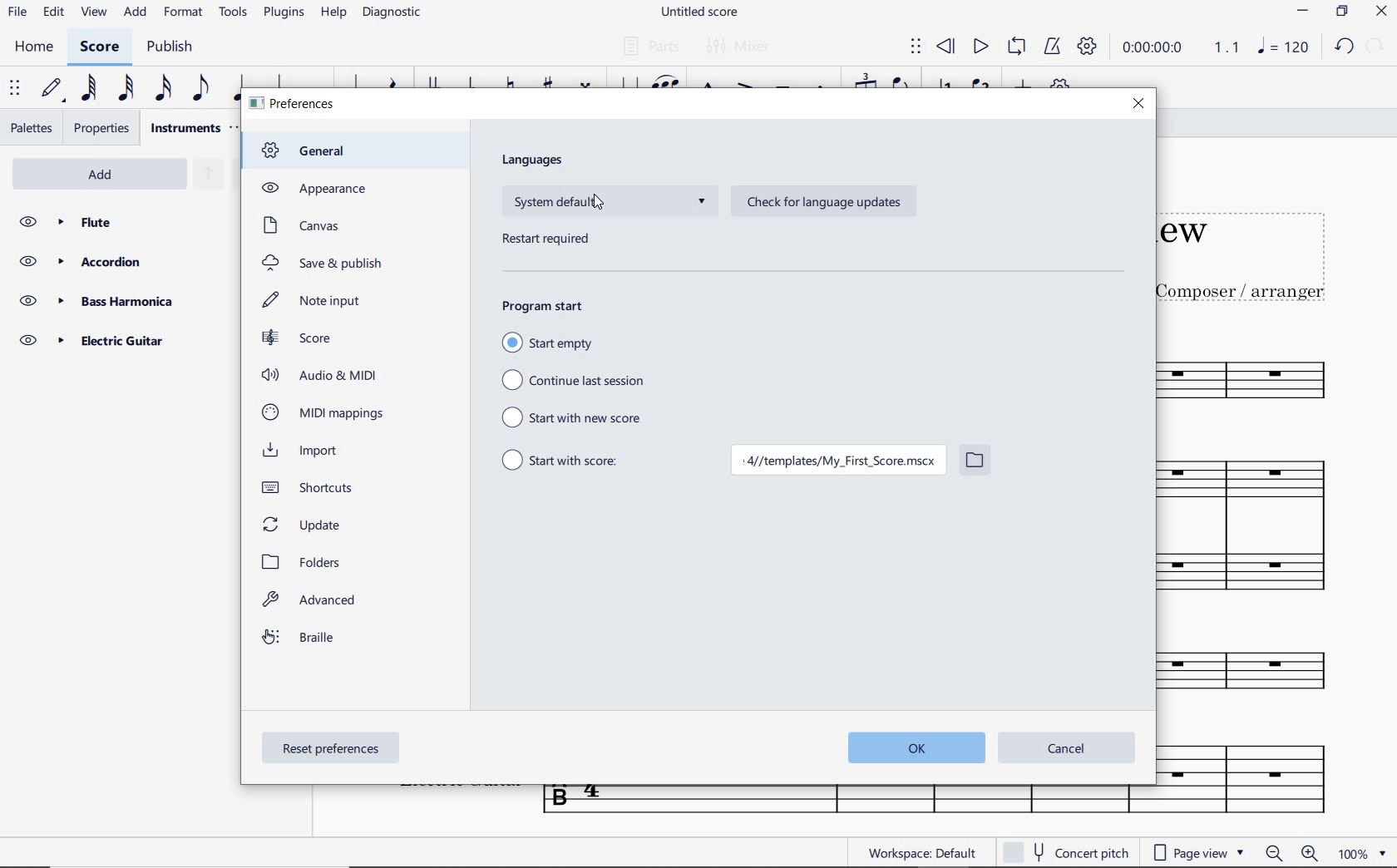 The image size is (1397, 868). I want to click on parts, so click(649, 47).